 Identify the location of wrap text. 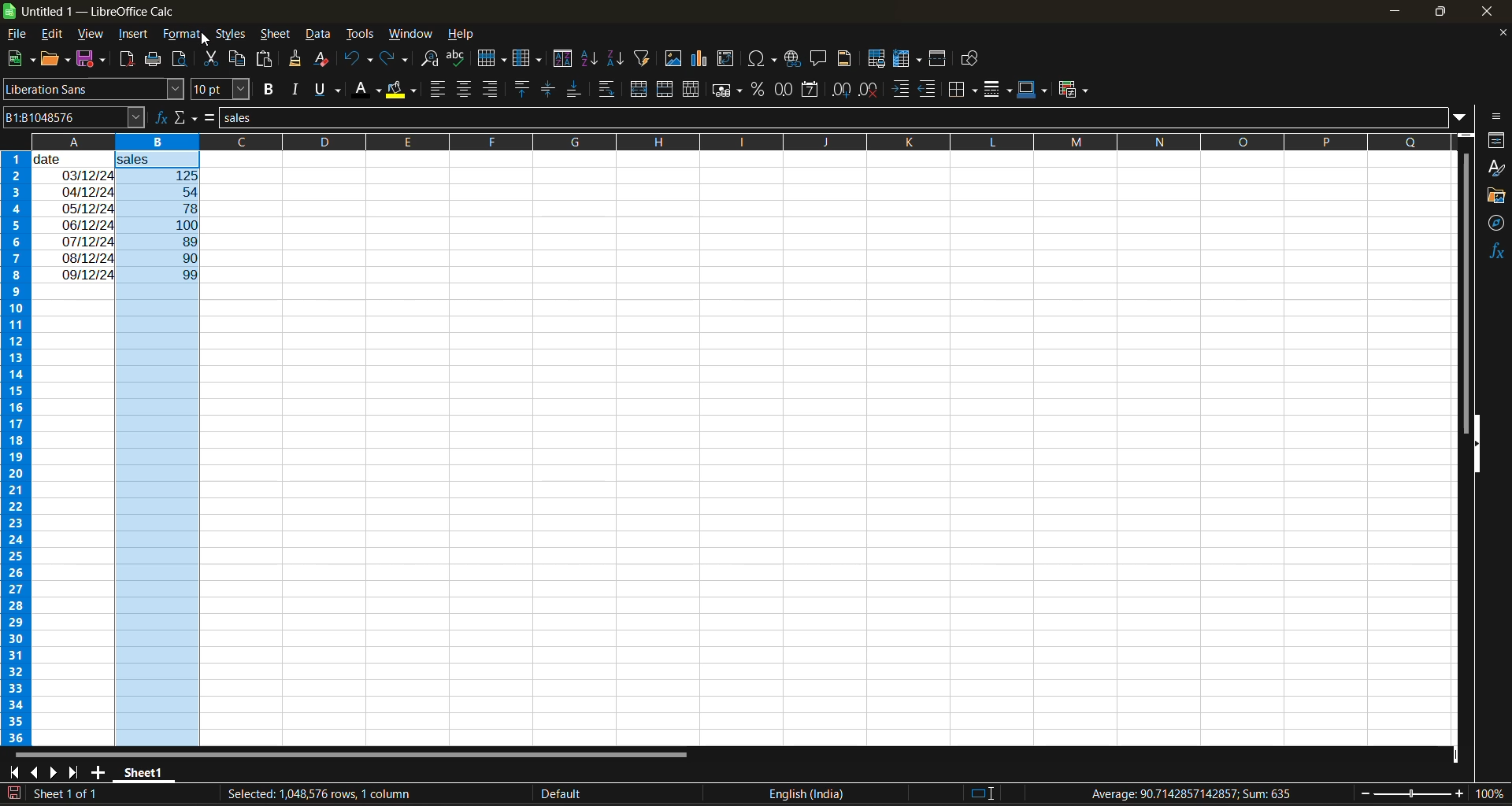
(609, 89).